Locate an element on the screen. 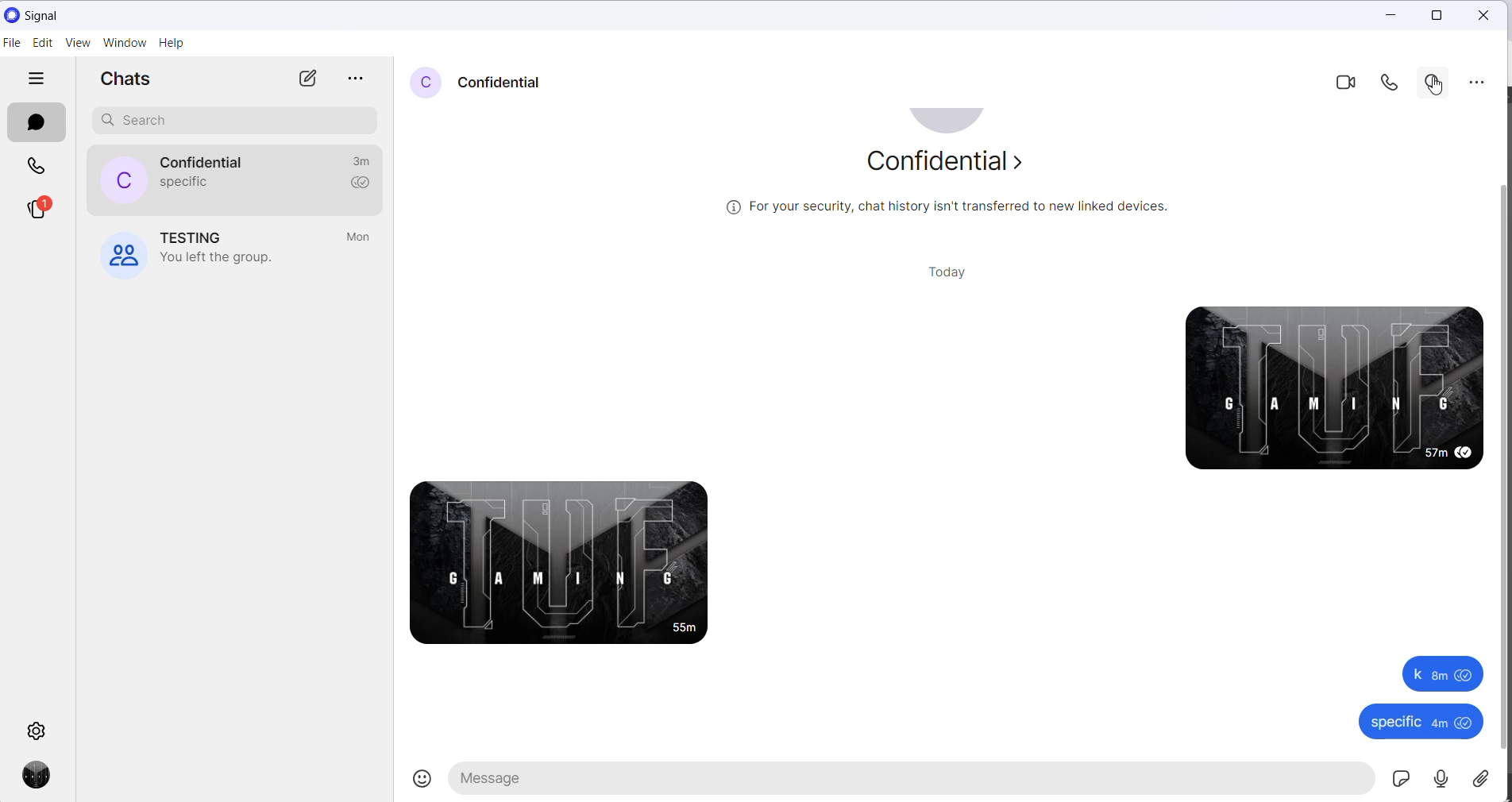 The image size is (1512, 802). search chat is located at coordinates (235, 121).